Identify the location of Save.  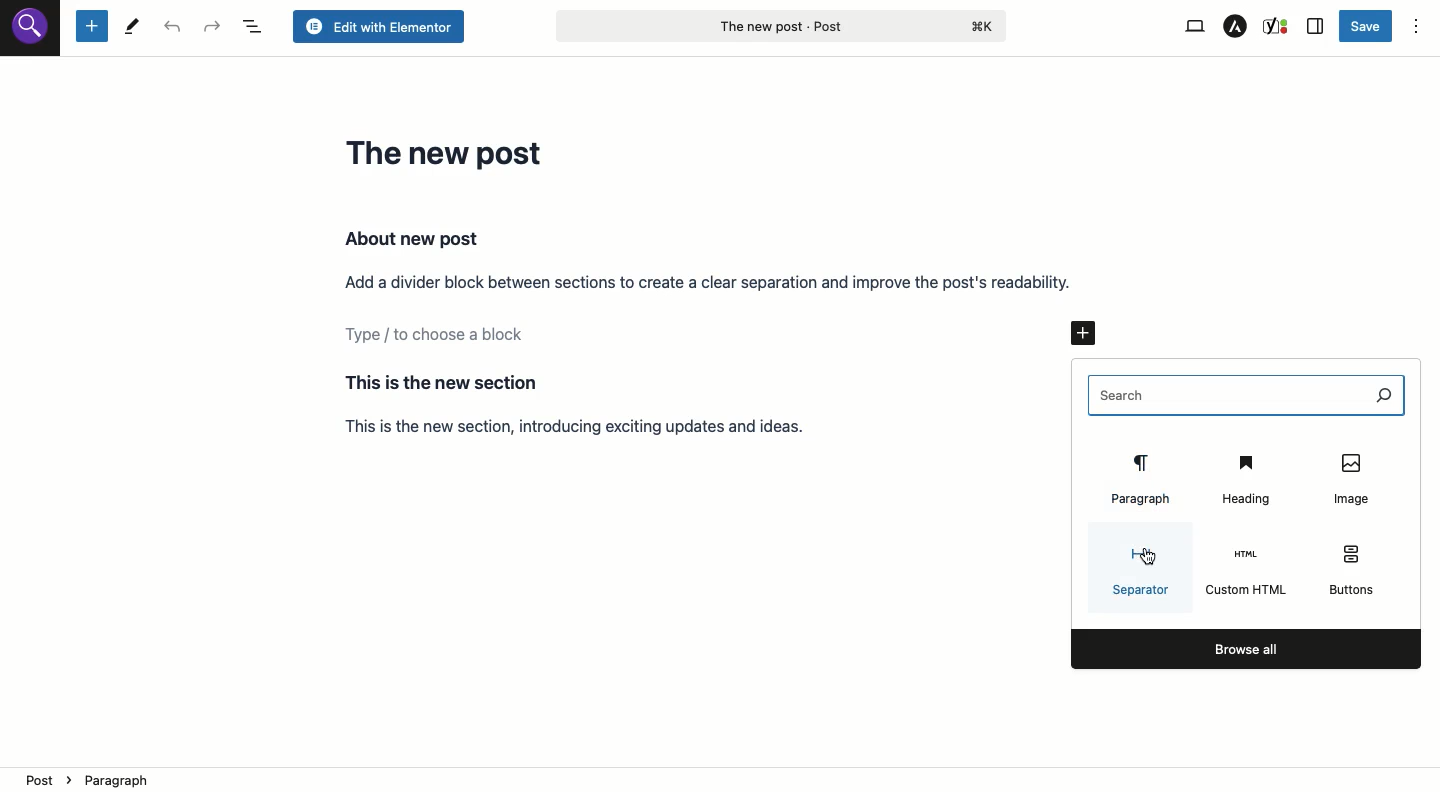
(1367, 25).